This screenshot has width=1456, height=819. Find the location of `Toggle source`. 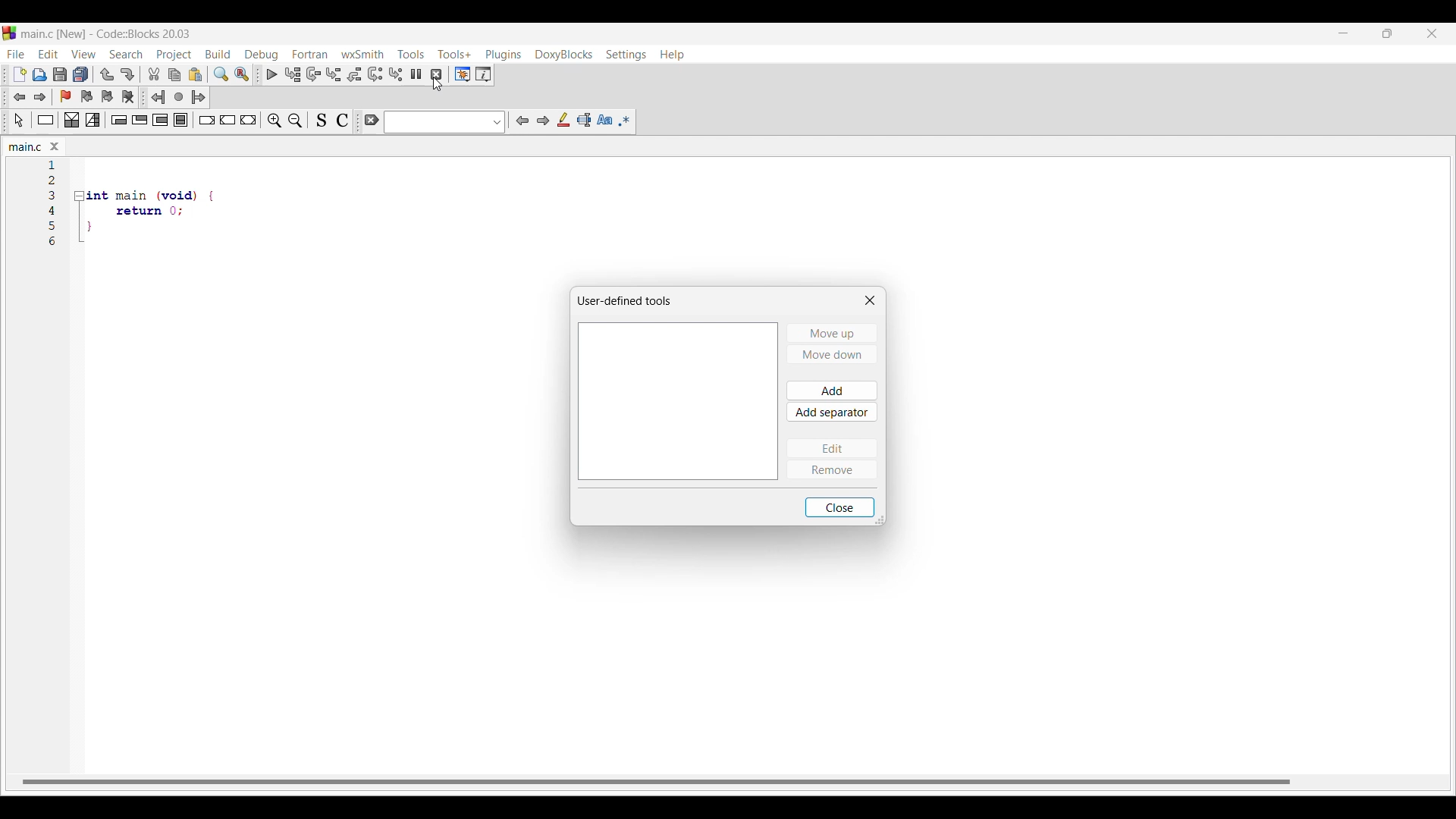

Toggle source is located at coordinates (322, 121).